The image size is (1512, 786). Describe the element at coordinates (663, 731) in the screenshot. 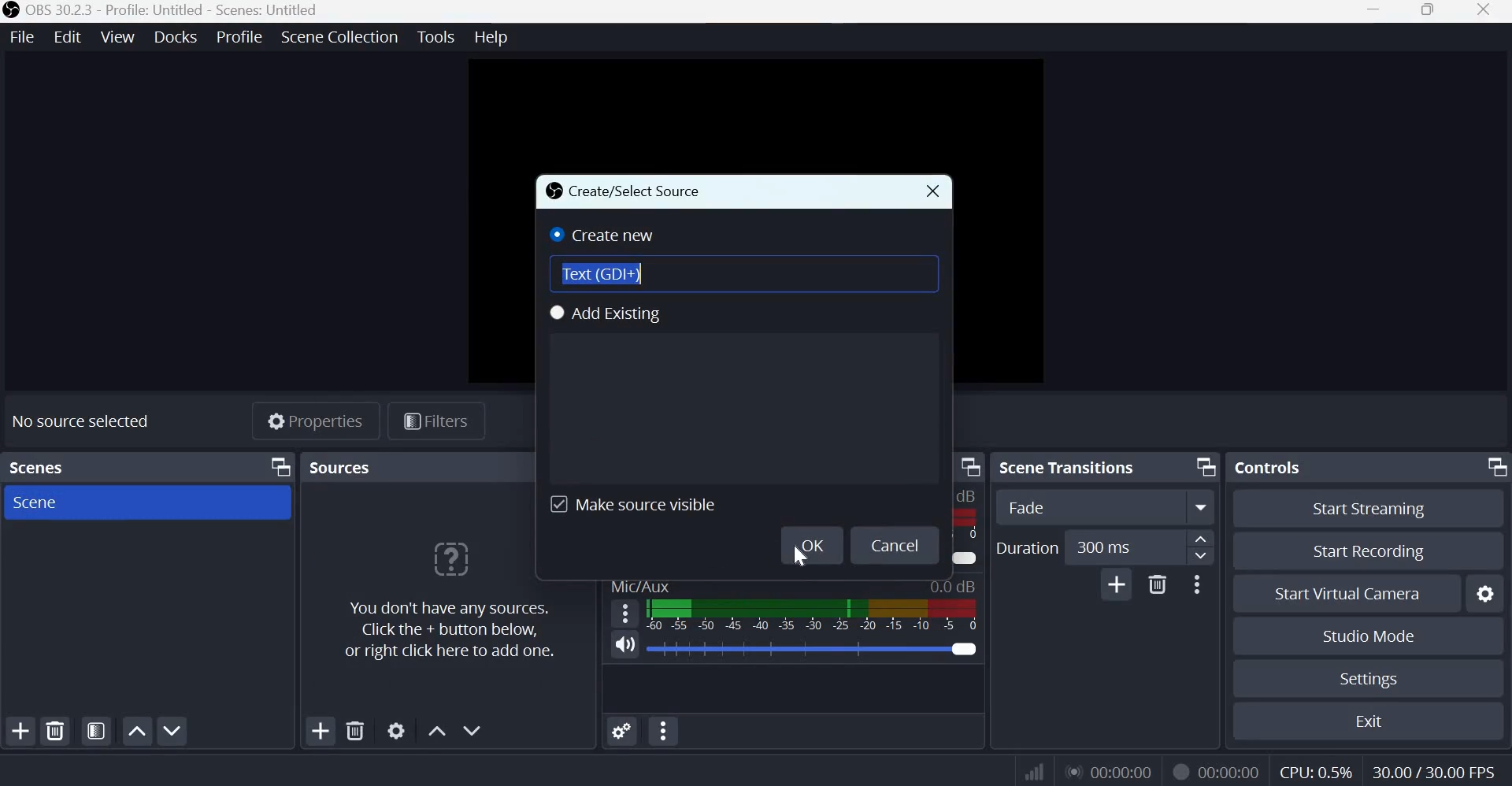

I see `Audio mixer menu` at that location.